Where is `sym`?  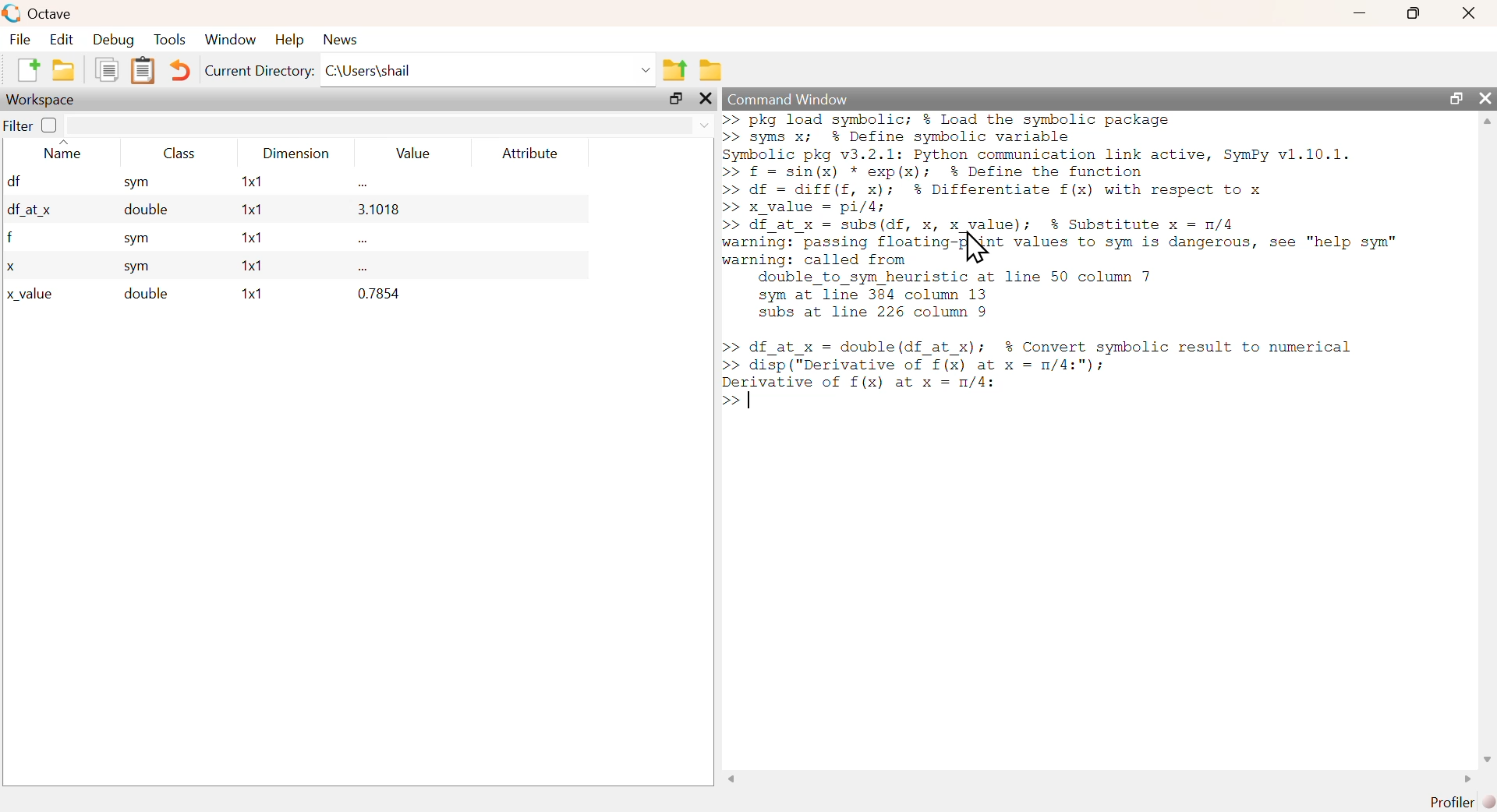
sym is located at coordinates (138, 268).